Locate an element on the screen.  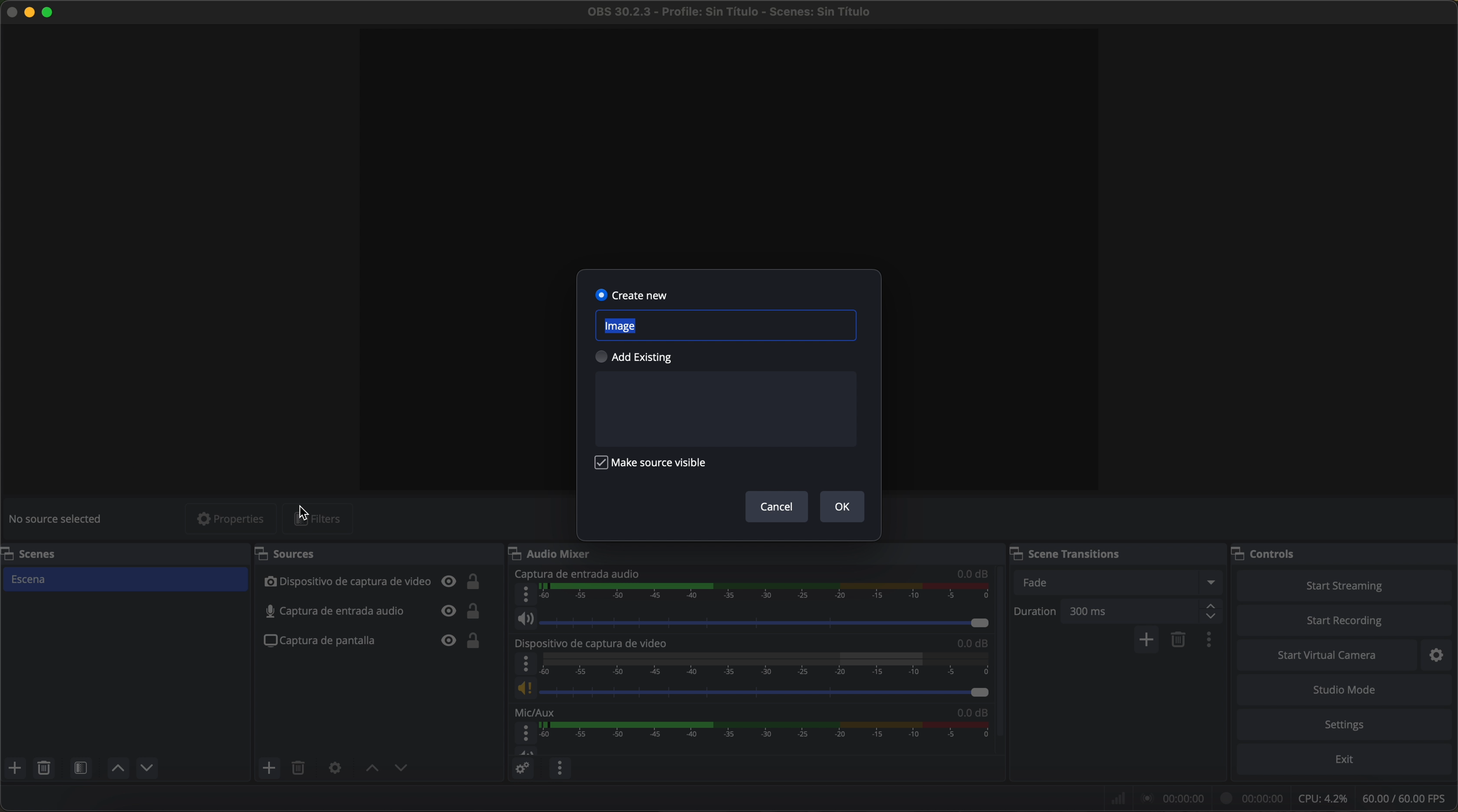
fade is located at coordinates (1116, 582).